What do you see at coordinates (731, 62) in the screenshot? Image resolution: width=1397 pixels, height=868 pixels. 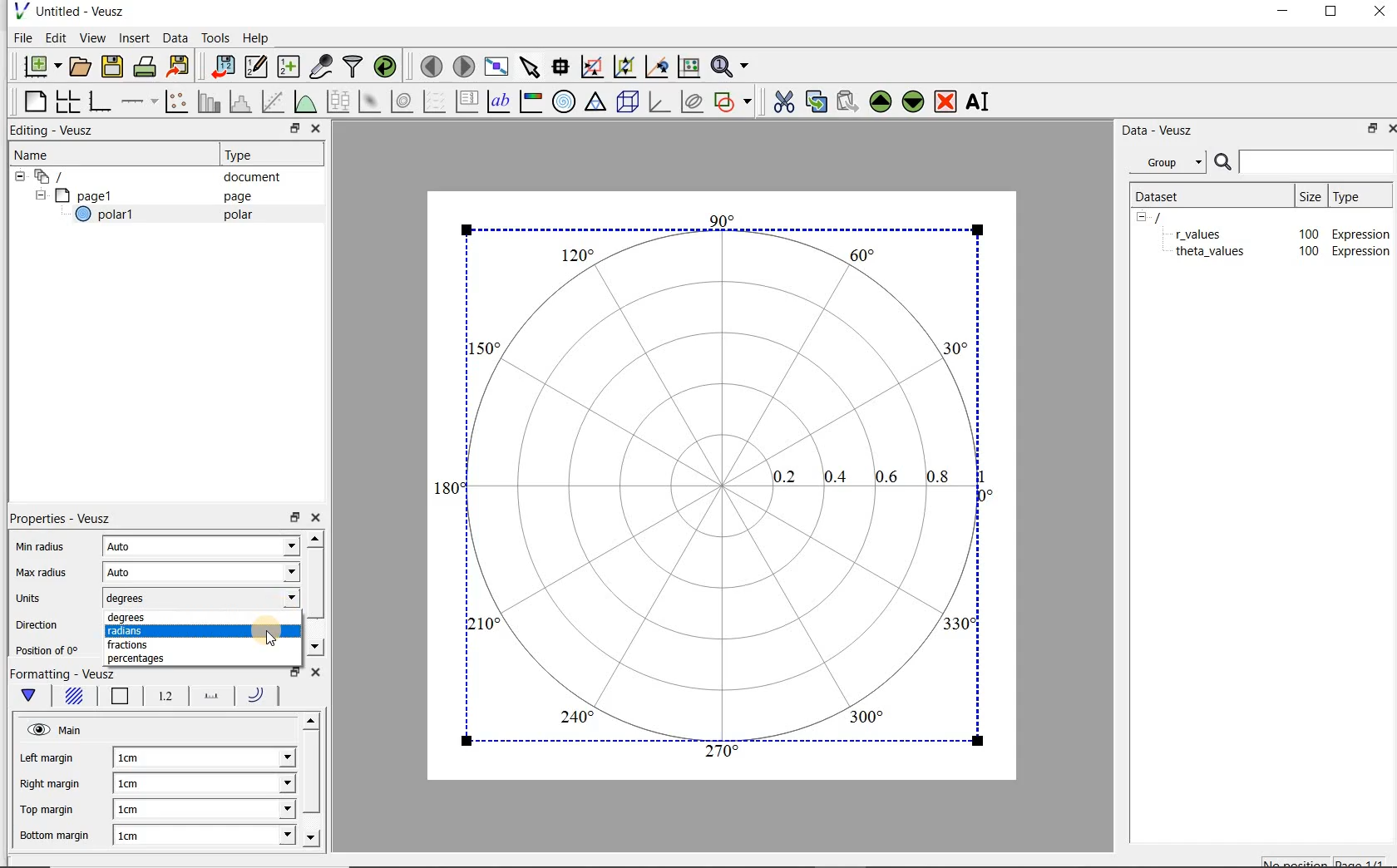 I see `Zoom functions menu` at bounding box center [731, 62].